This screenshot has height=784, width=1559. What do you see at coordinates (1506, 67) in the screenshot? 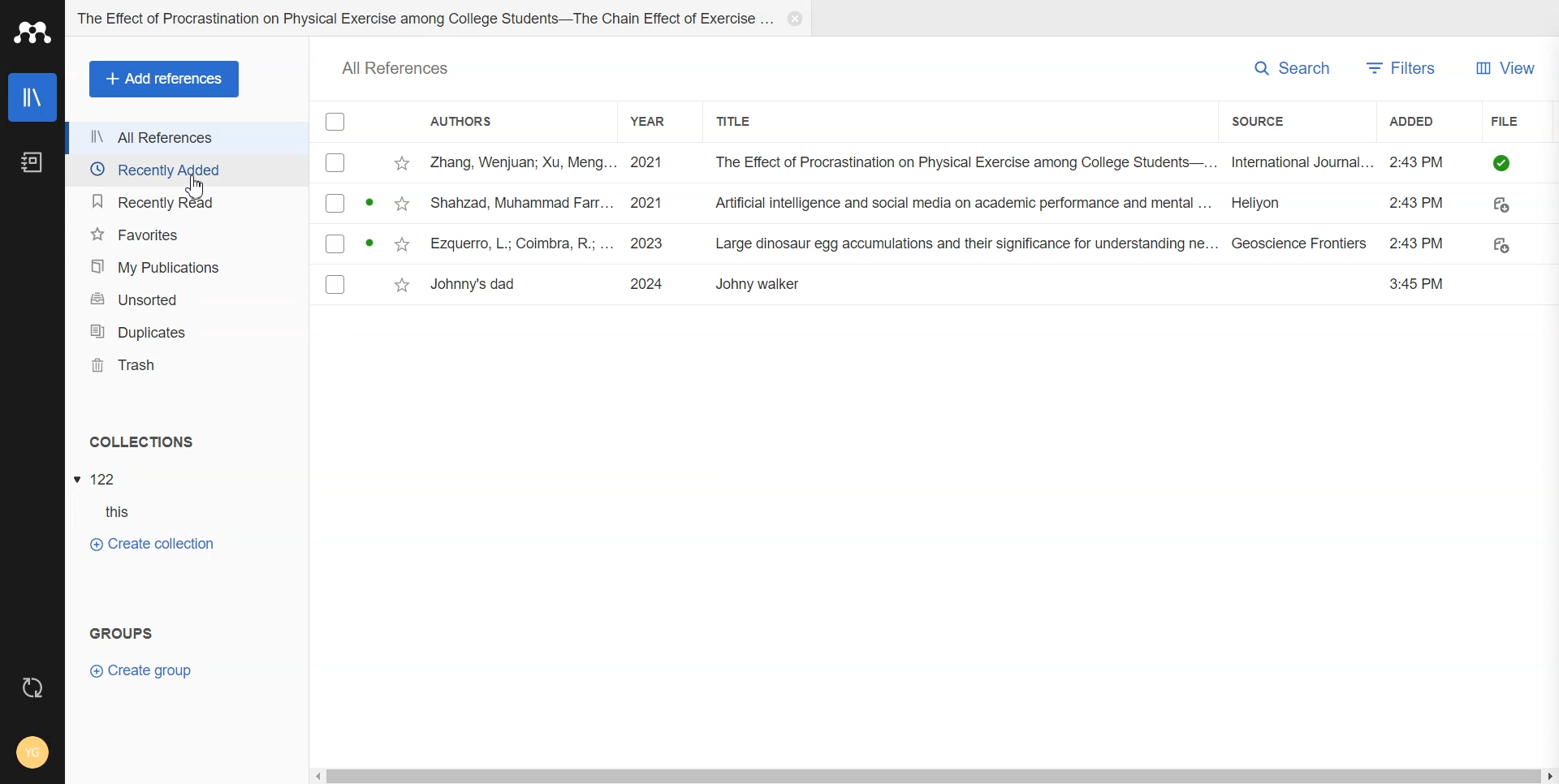
I see `View` at bounding box center [1506, 67].